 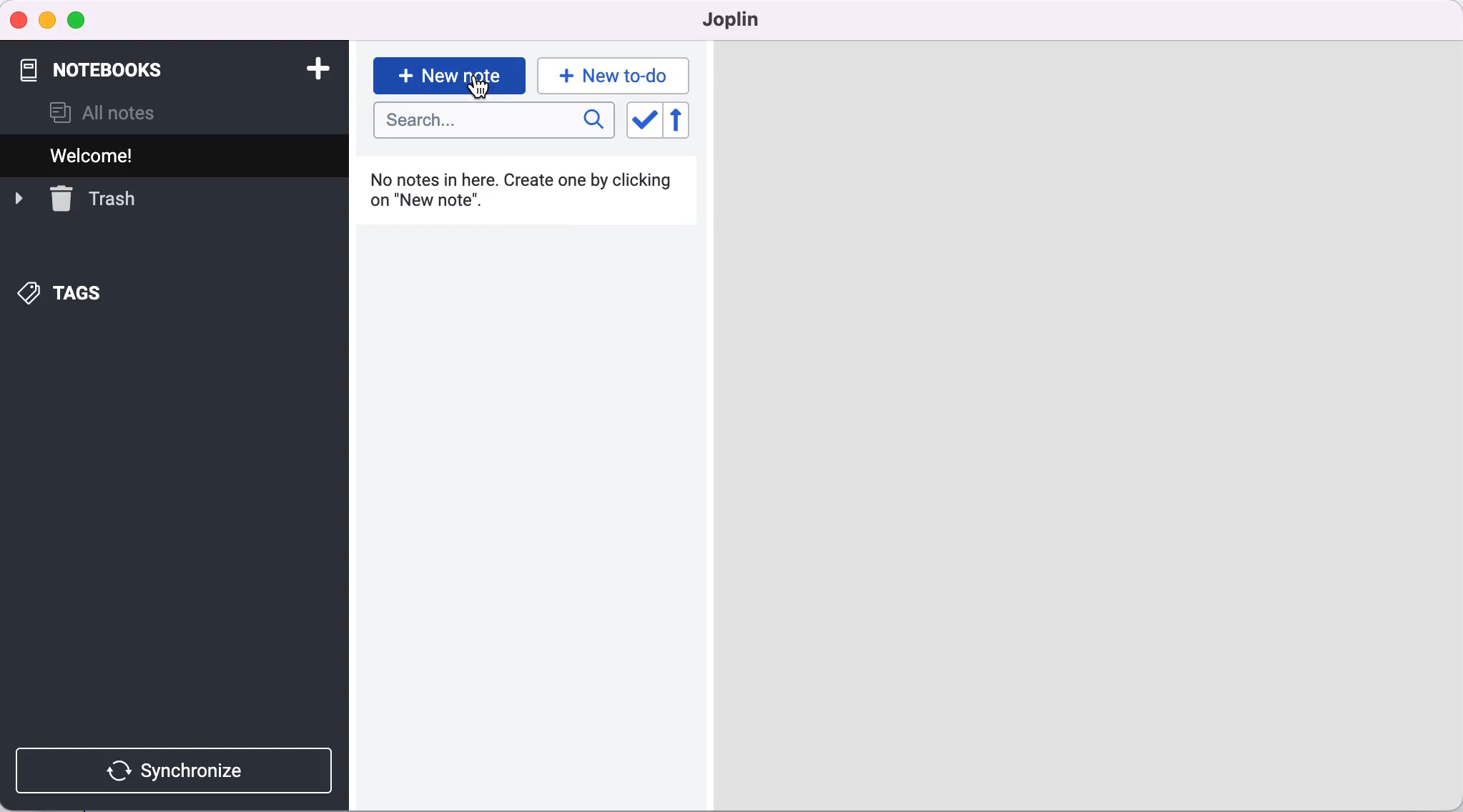 I want to click on toggle sort order field, so click(x=643, y=122).